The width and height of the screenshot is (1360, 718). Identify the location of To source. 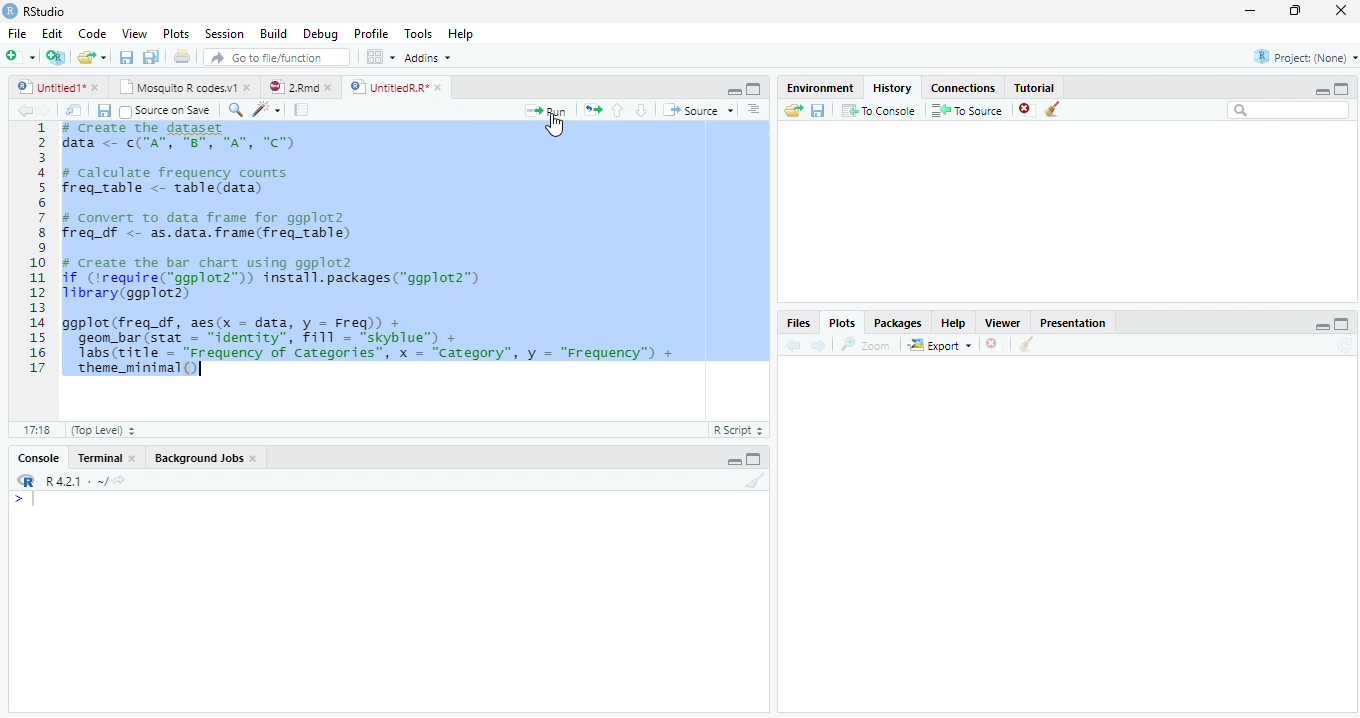
(969, 110).